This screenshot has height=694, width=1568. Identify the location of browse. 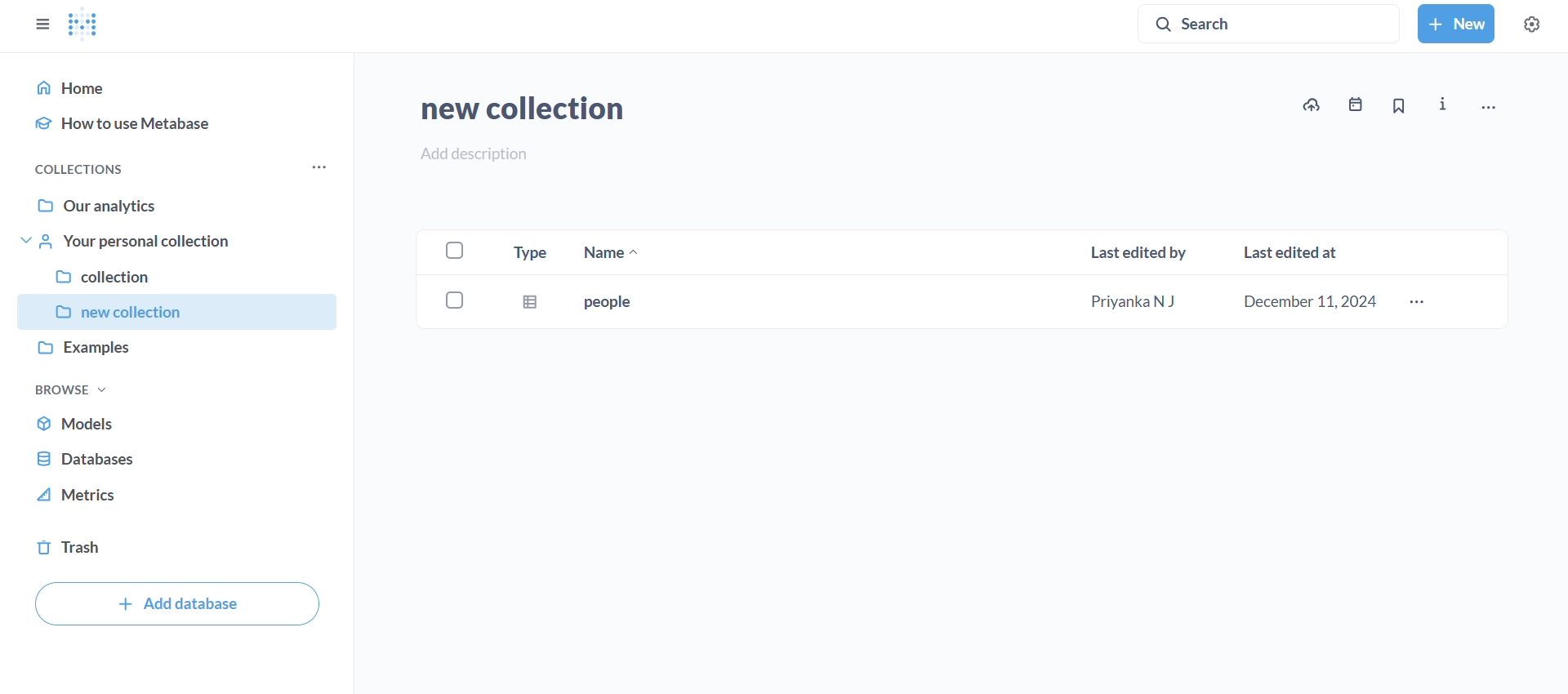
(71, 389).